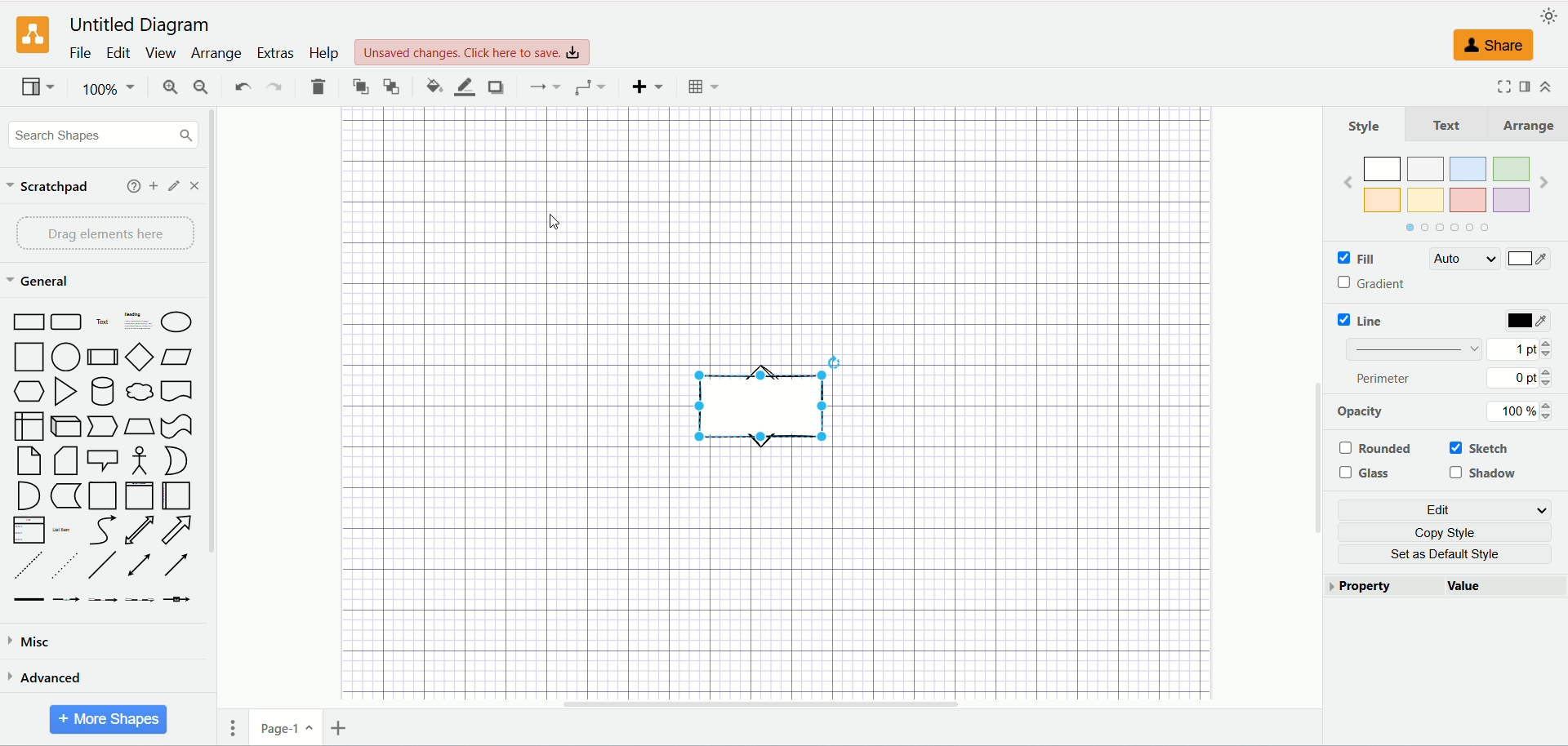  I want to click on process, so click(104, 357).